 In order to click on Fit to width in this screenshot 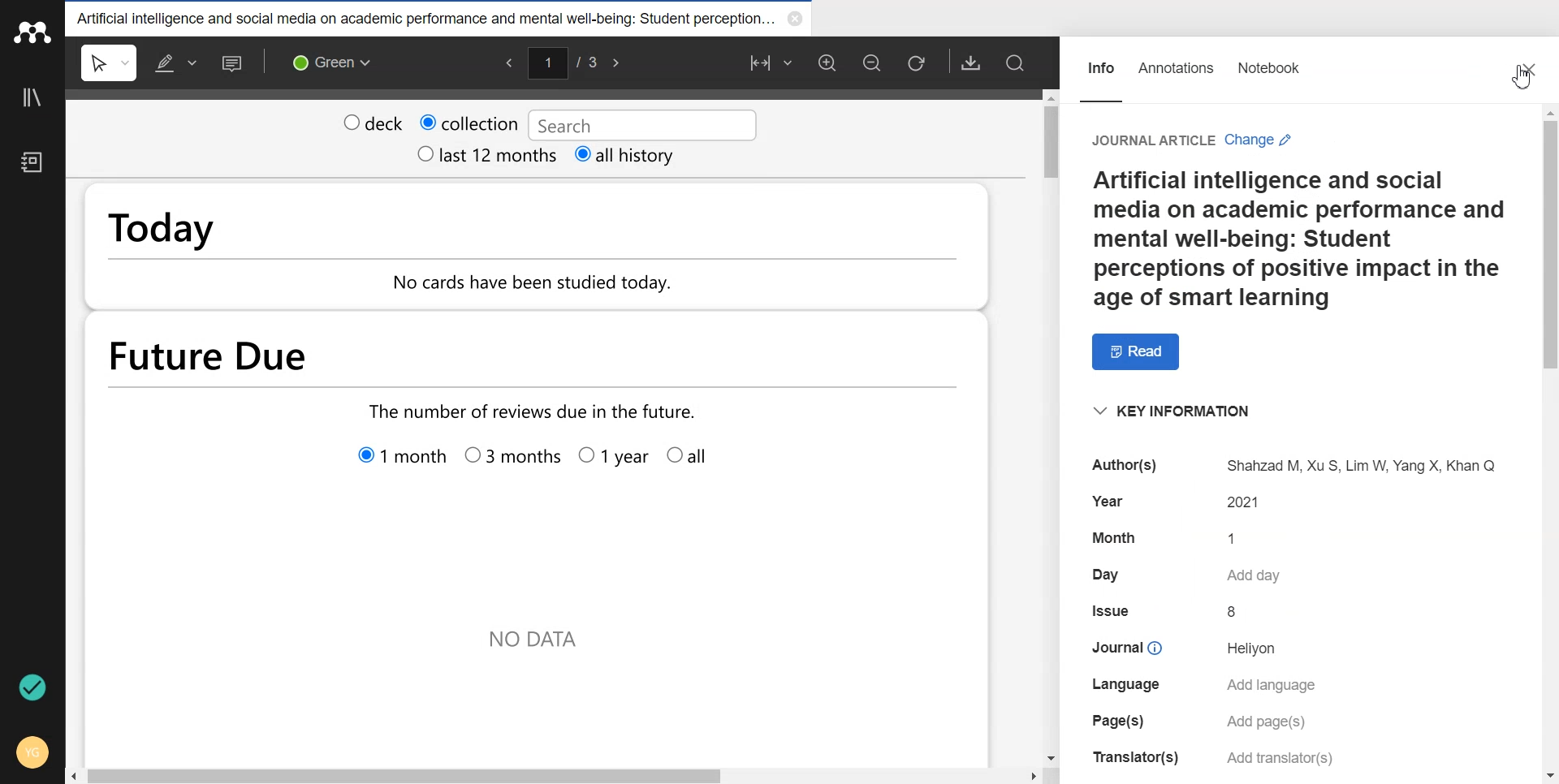, I will do `click(769, 62)`.